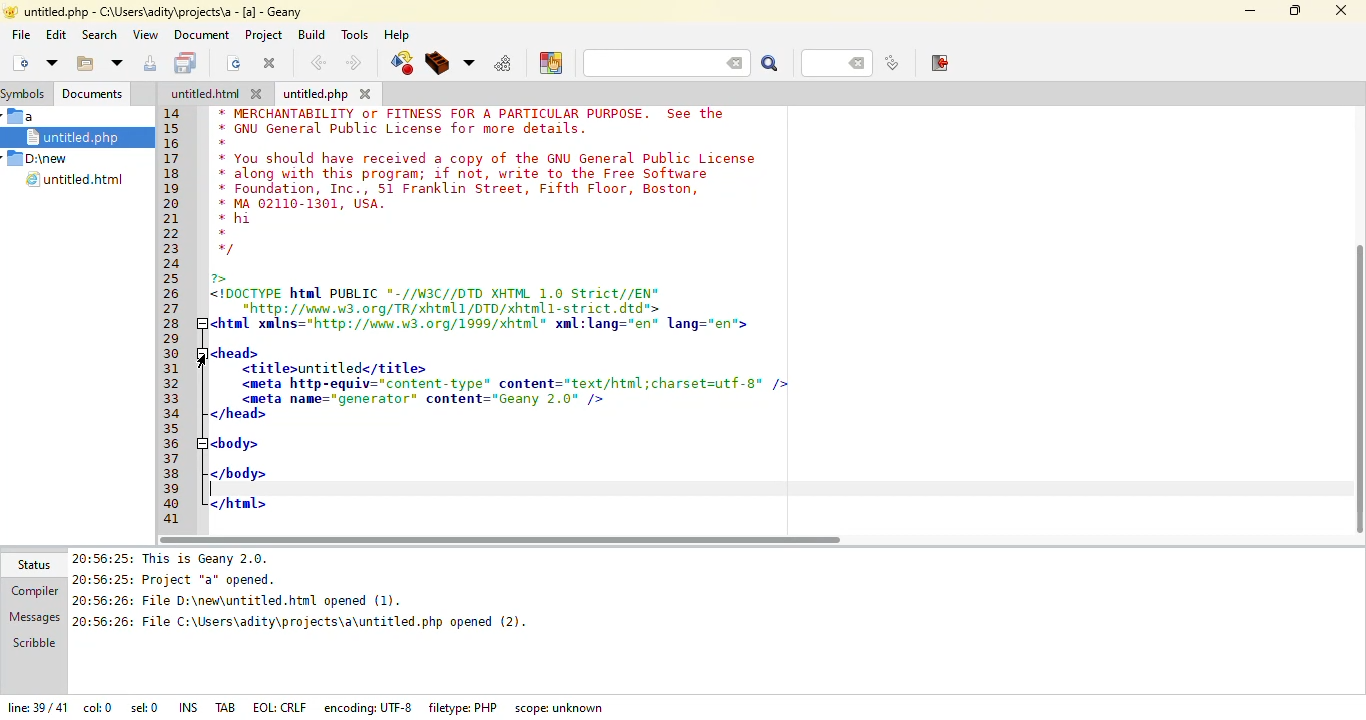  Describe the element at coordinates (98, 708) in the screenshot. I see `col: 0` at that location.